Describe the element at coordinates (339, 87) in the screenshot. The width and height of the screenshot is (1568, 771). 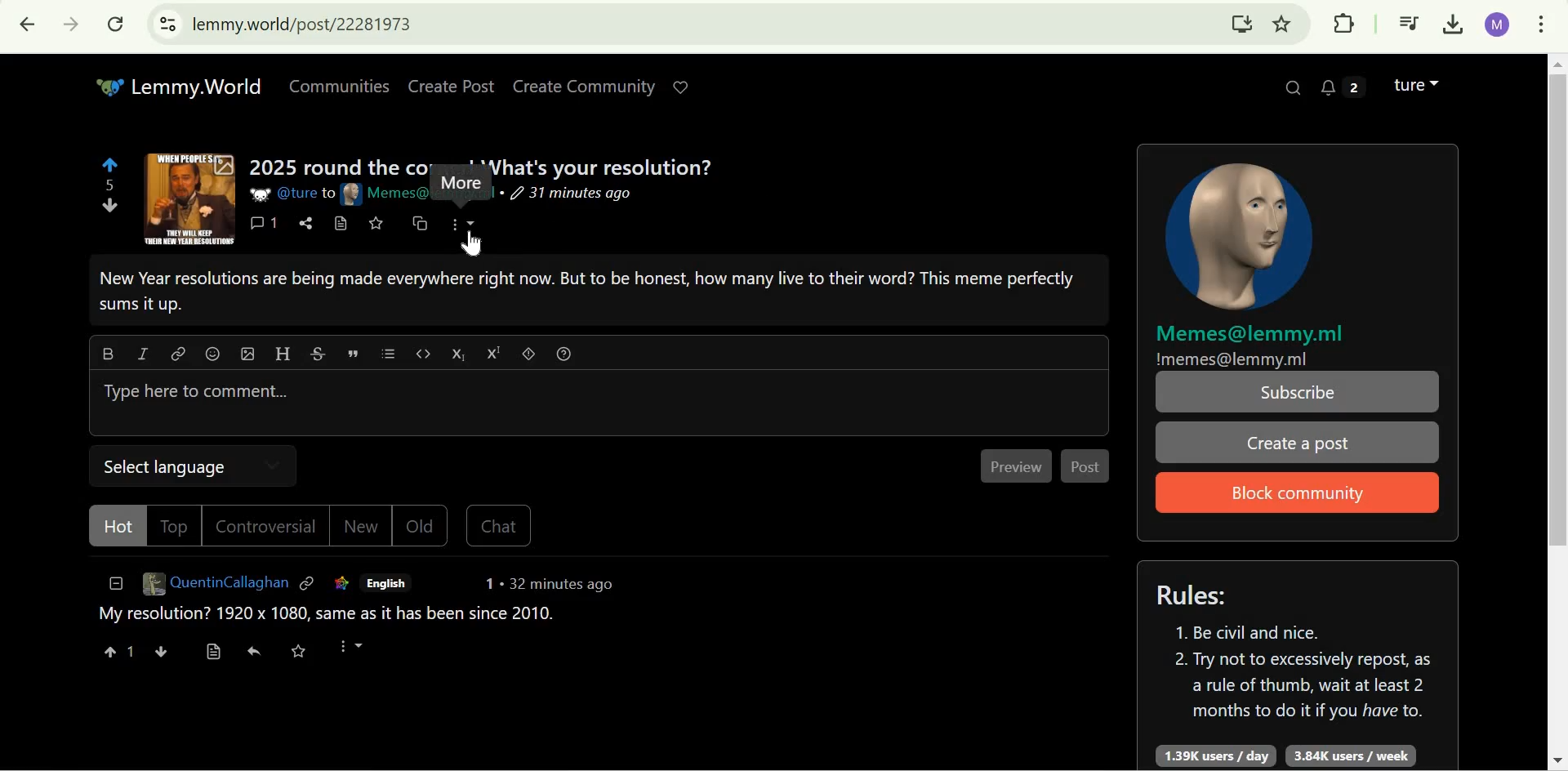
I see `Communities` at that location.